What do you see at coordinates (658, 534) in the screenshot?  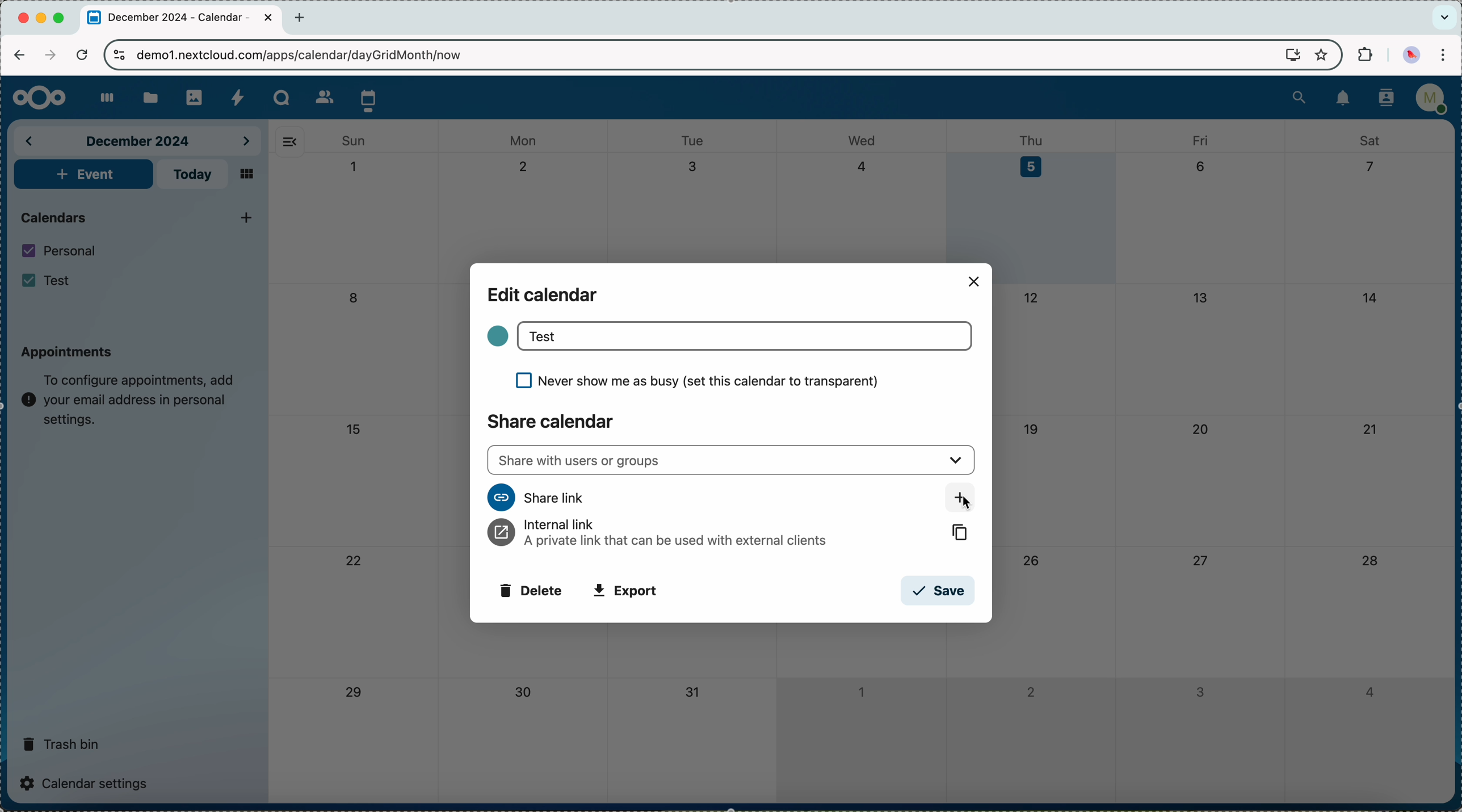 I see `internal link` at bounding box center [658, 534].